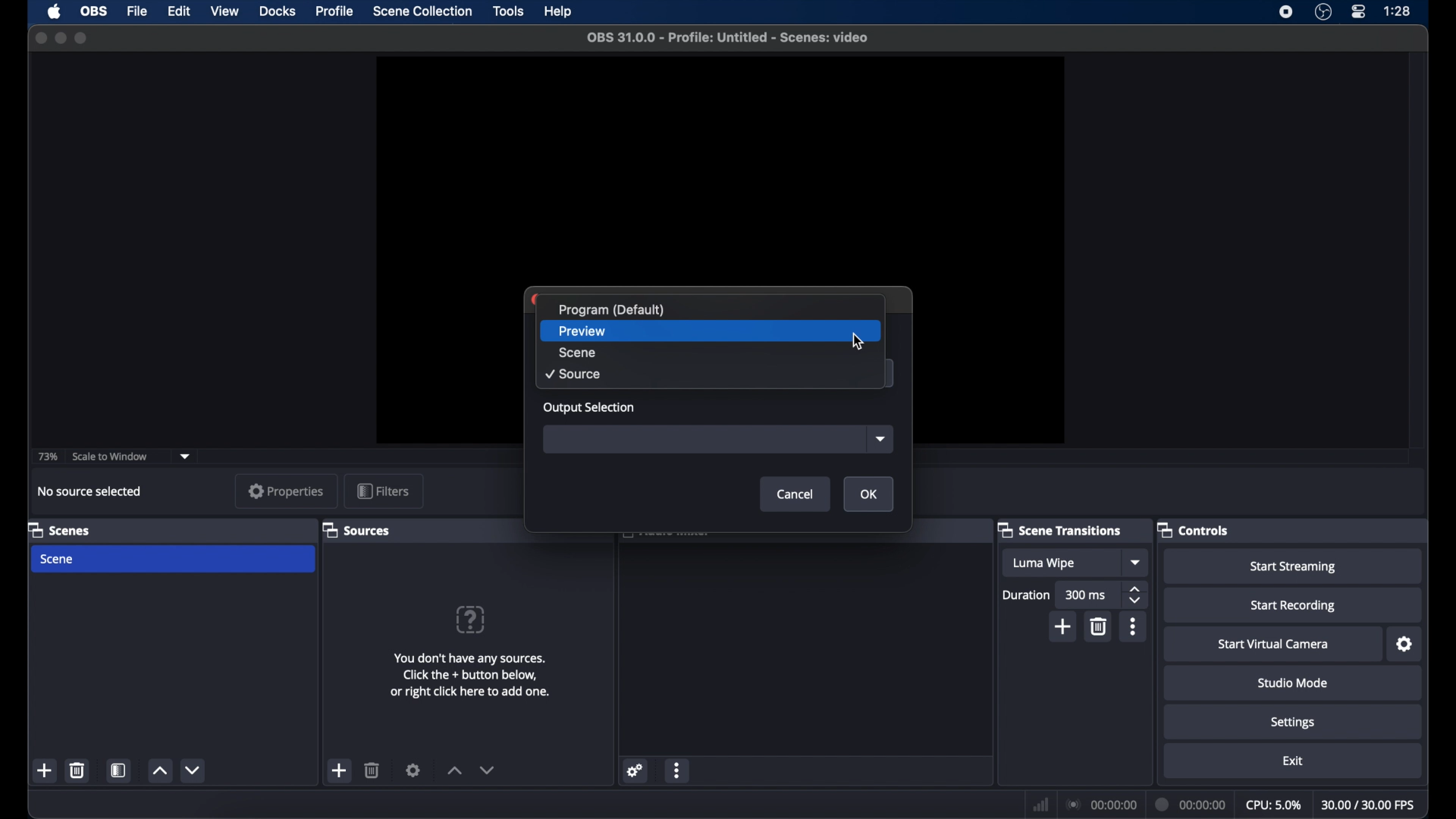 The width and height of the screenshot is (1456, 819). I want to click on audio mixer, so click(667, 537).